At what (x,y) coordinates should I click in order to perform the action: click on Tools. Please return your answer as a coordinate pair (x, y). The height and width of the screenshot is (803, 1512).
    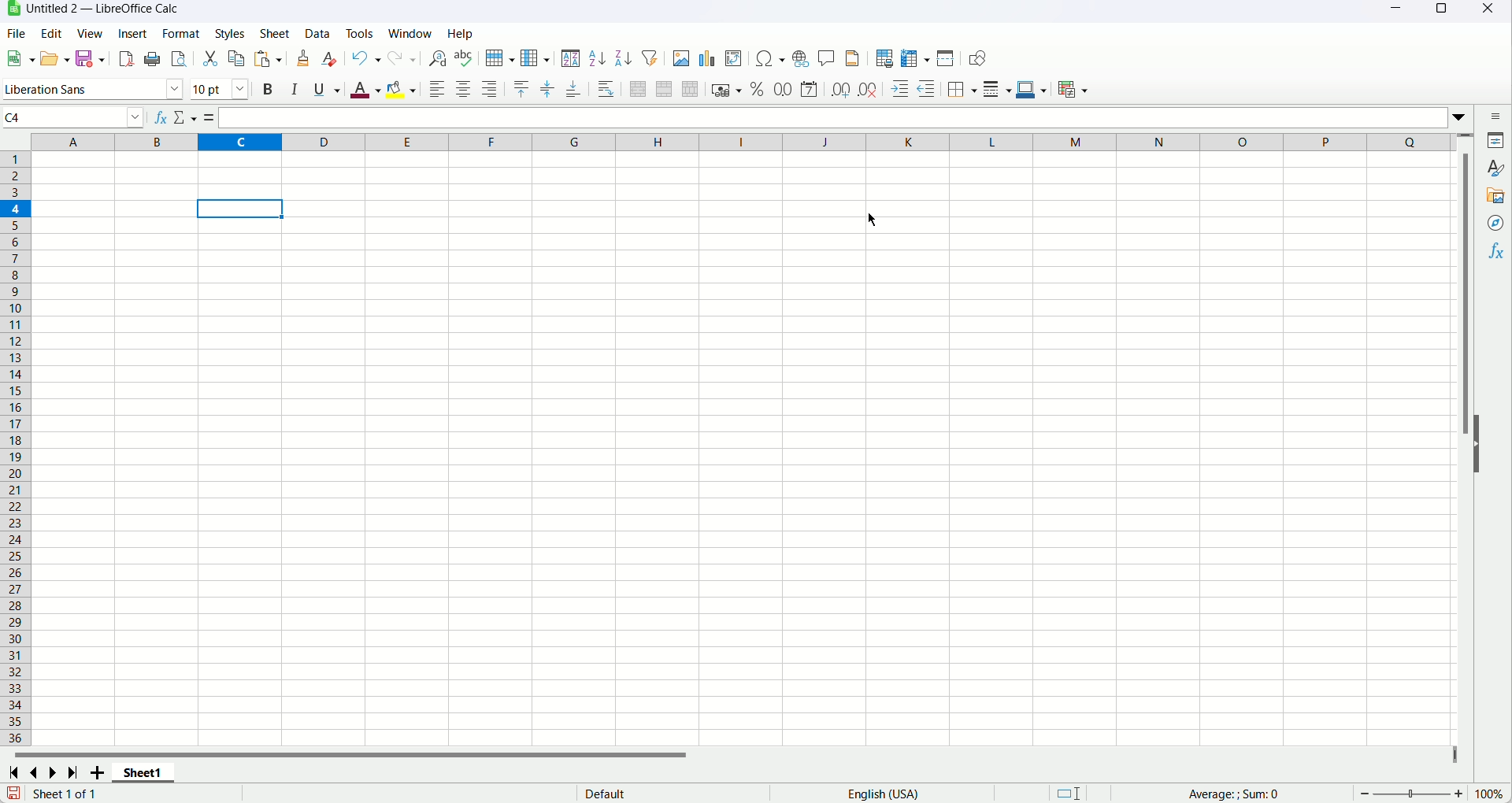
    Looking at the image, I should click on (359, 33).